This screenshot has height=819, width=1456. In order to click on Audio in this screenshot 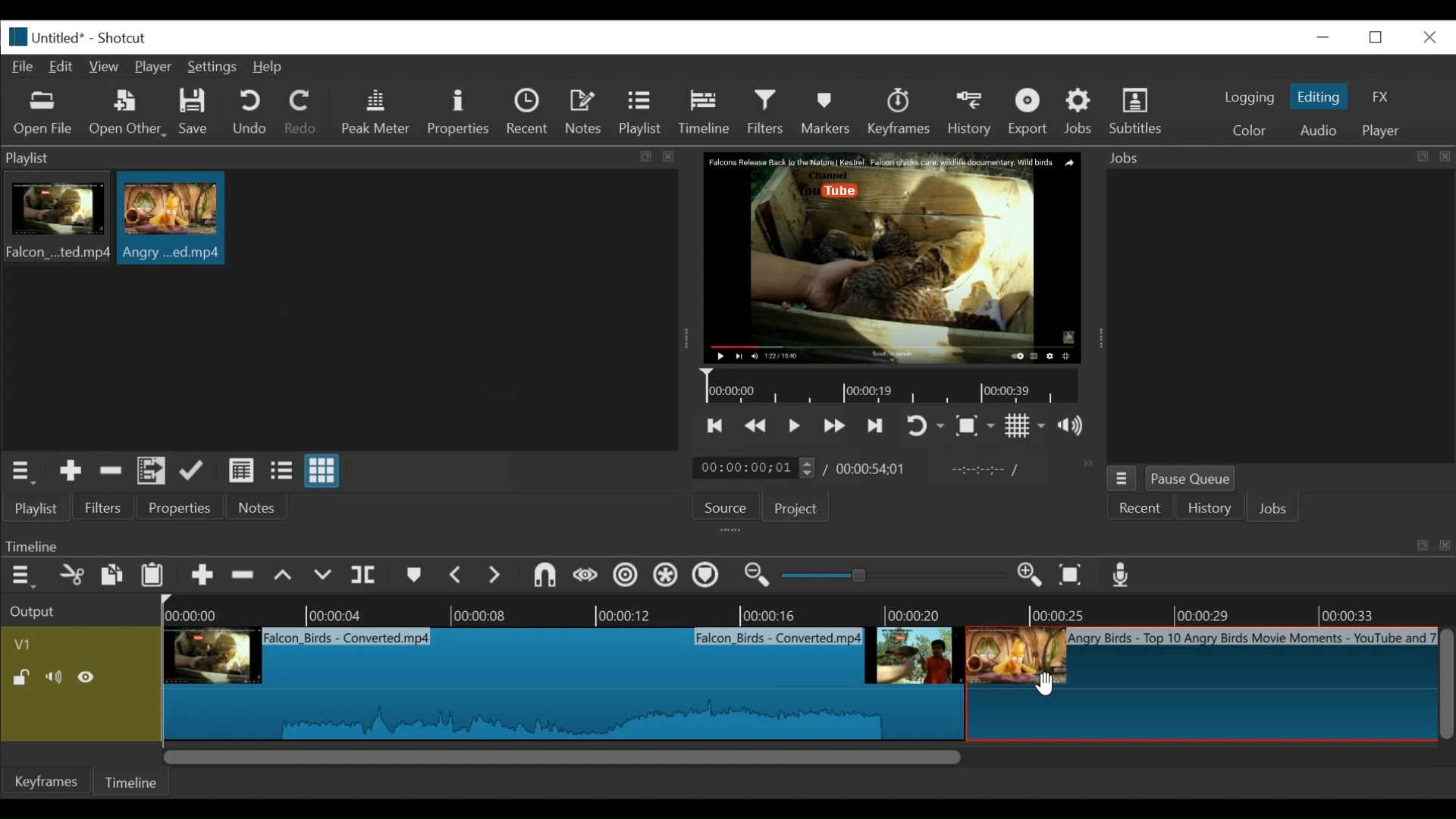, I will do `click(1317, 130)`.